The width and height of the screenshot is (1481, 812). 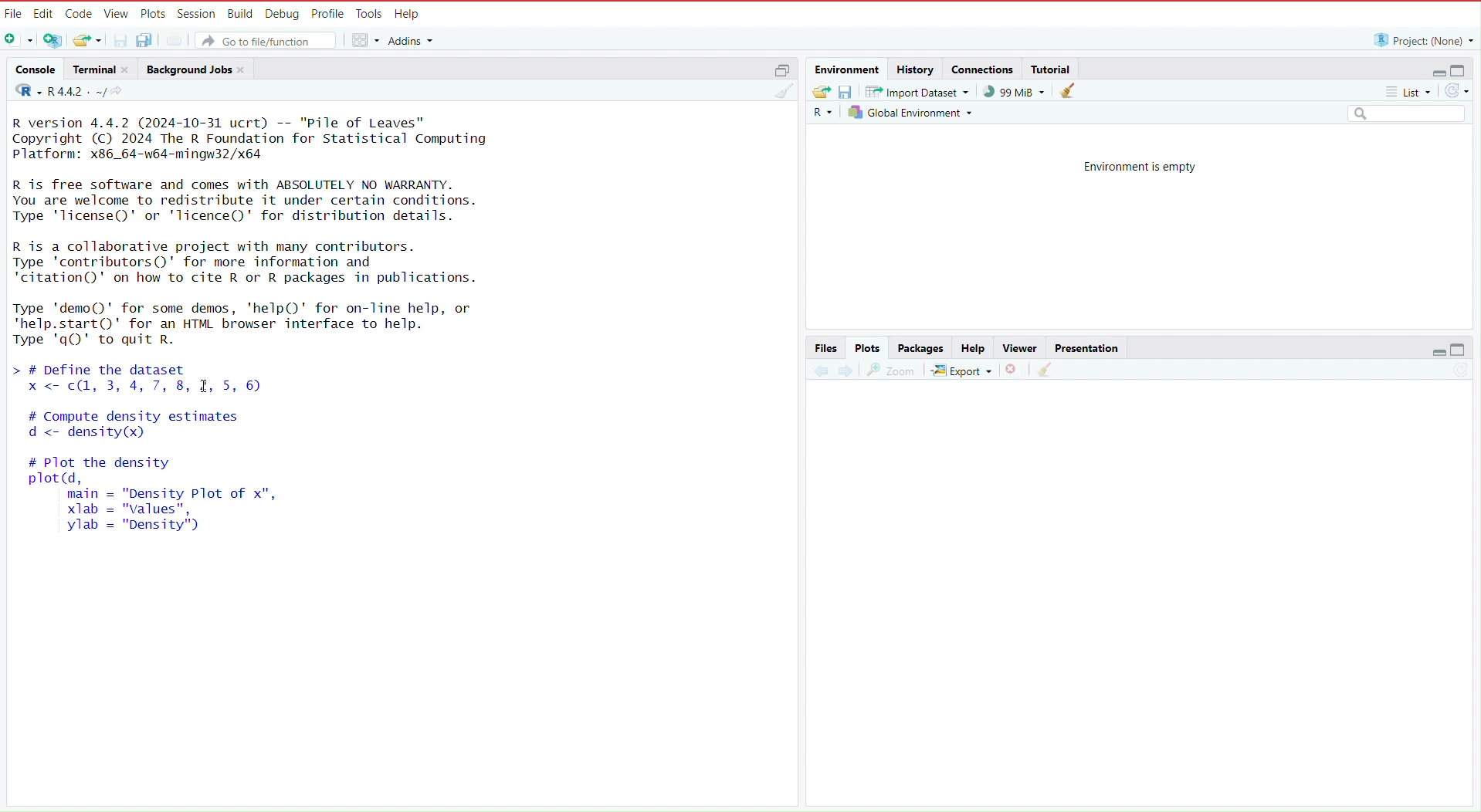 I want to click on viewer, so click(x=1015, y=347).